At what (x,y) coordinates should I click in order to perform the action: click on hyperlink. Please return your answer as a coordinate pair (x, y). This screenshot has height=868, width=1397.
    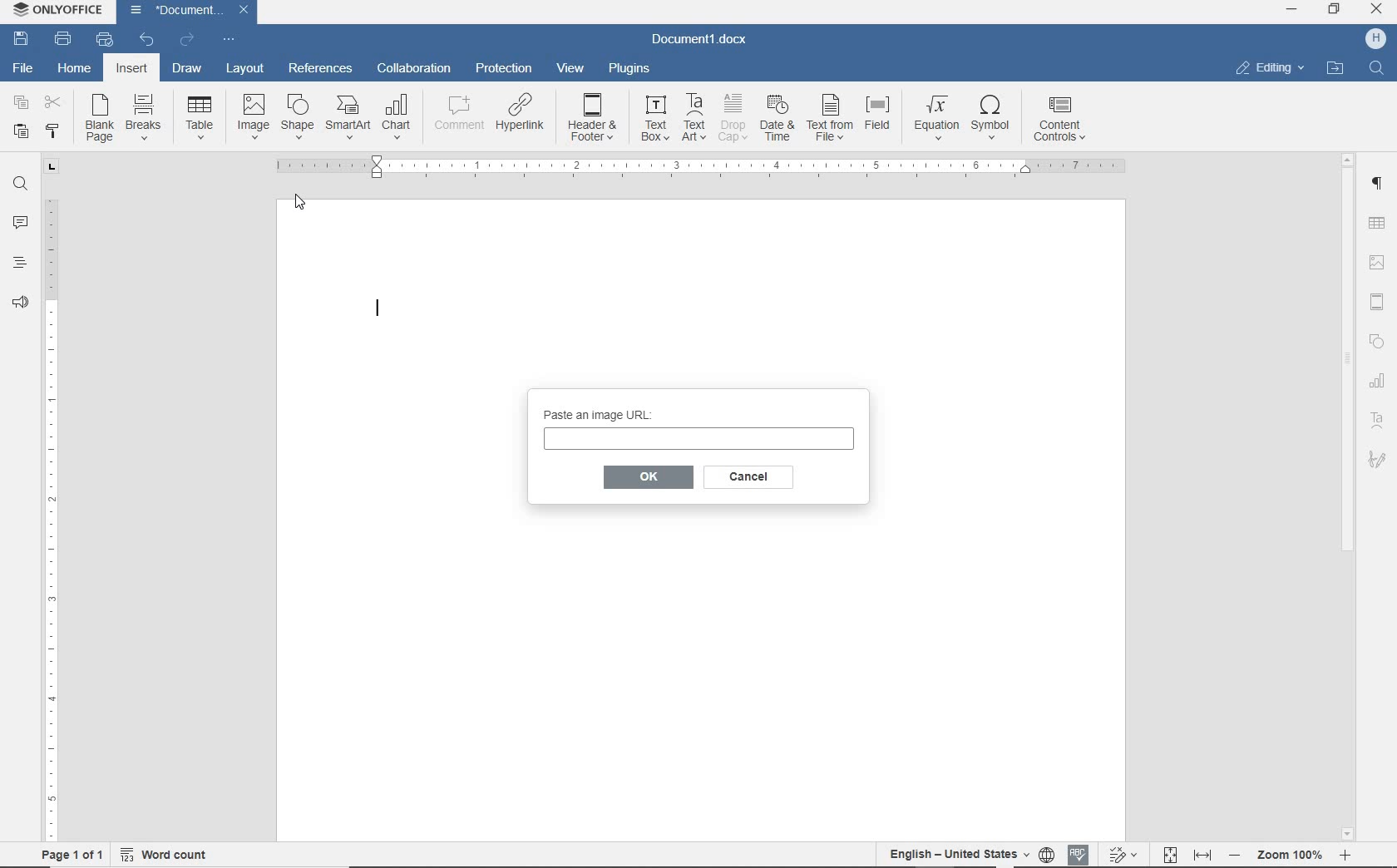
    Looking at the image, I should click on (520, 116).